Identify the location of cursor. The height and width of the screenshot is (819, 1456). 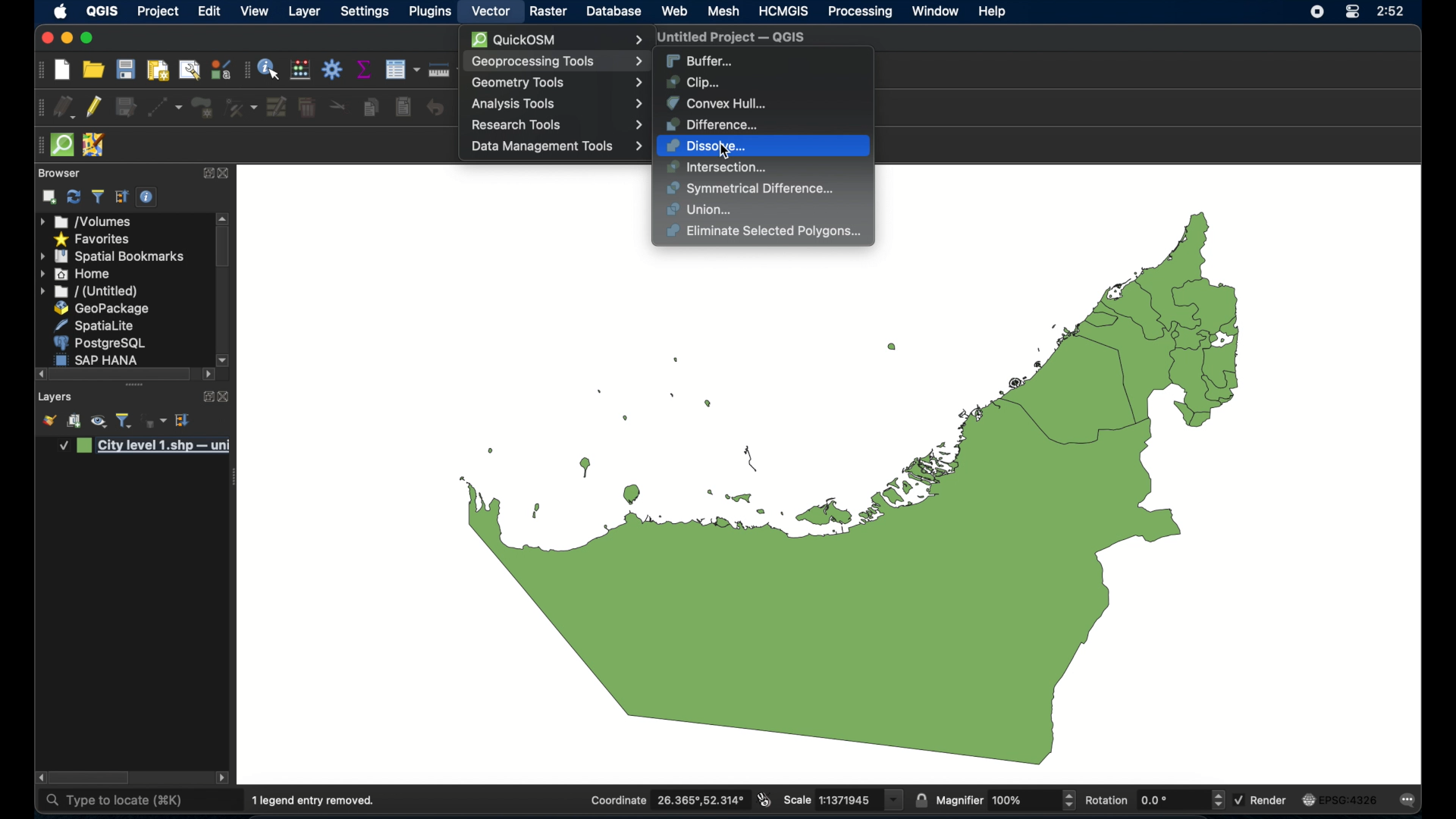
(730, 152).